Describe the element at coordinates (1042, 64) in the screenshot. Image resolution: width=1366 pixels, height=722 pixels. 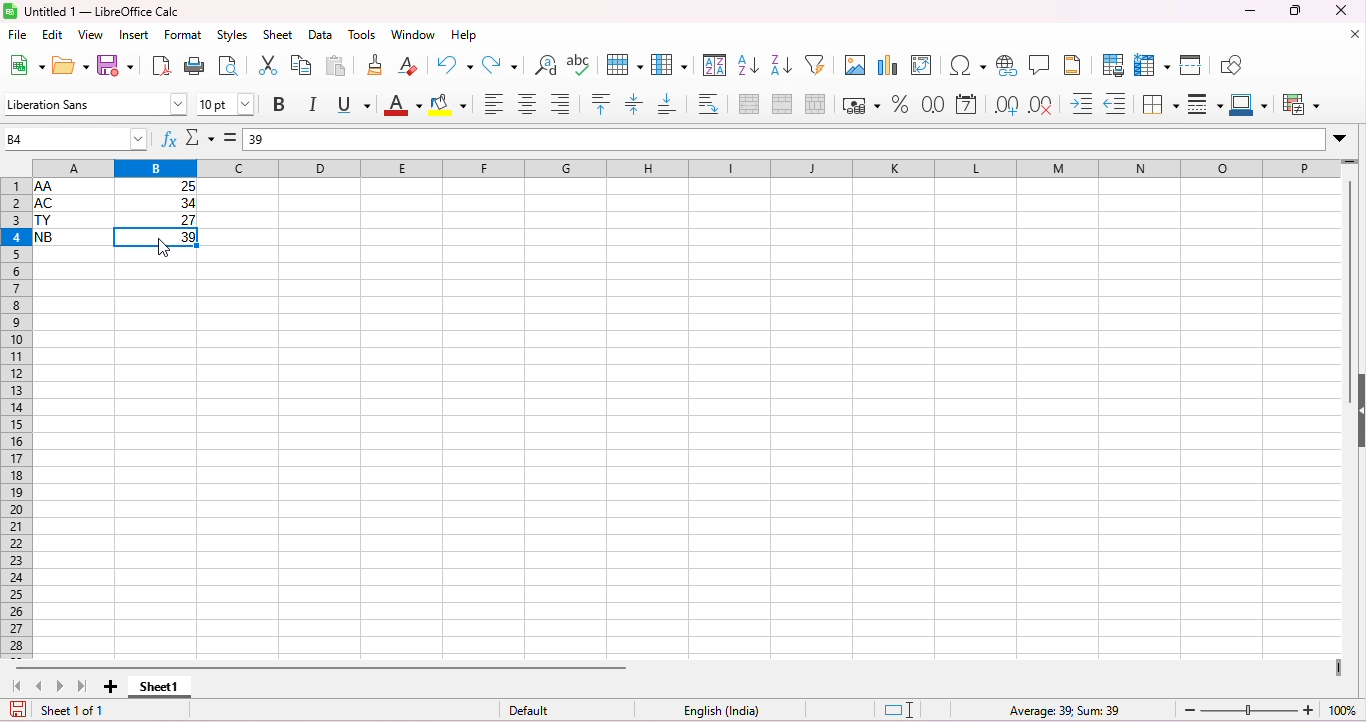
I see `insert comment` at that location.